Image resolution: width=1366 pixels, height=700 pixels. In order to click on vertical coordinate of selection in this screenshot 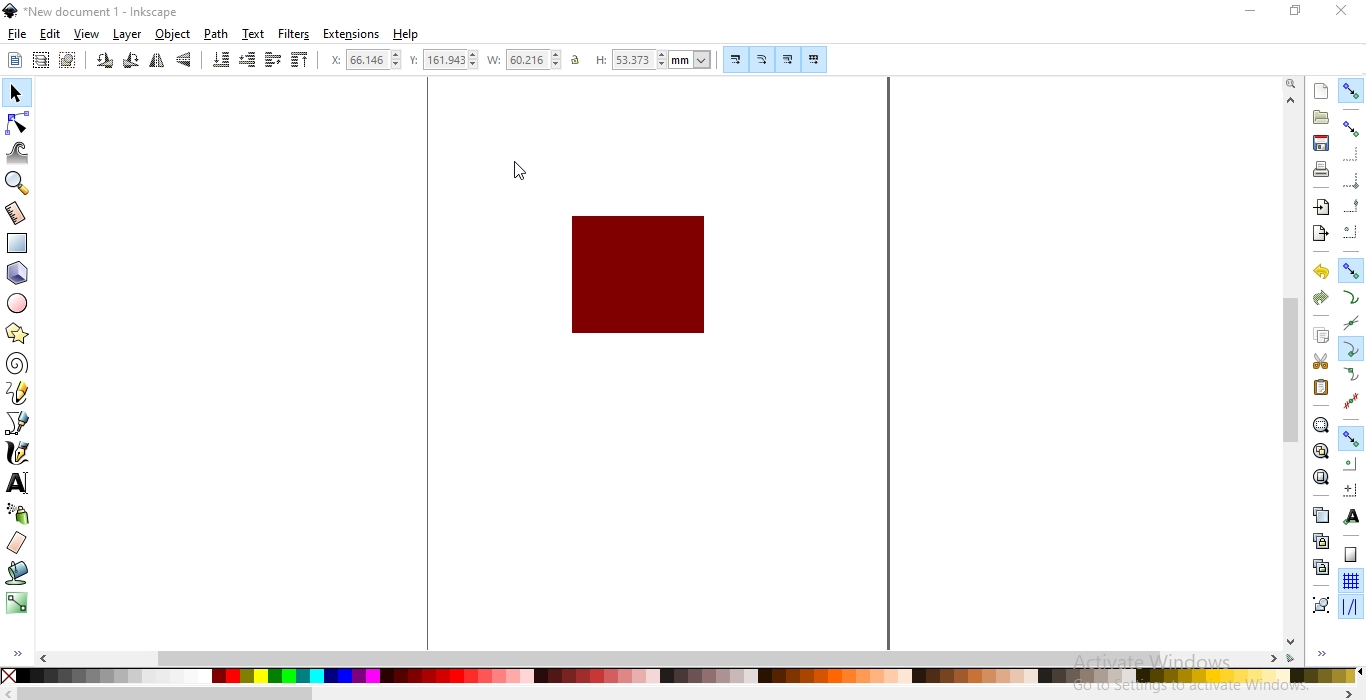, I will do `click(414, 60)`.